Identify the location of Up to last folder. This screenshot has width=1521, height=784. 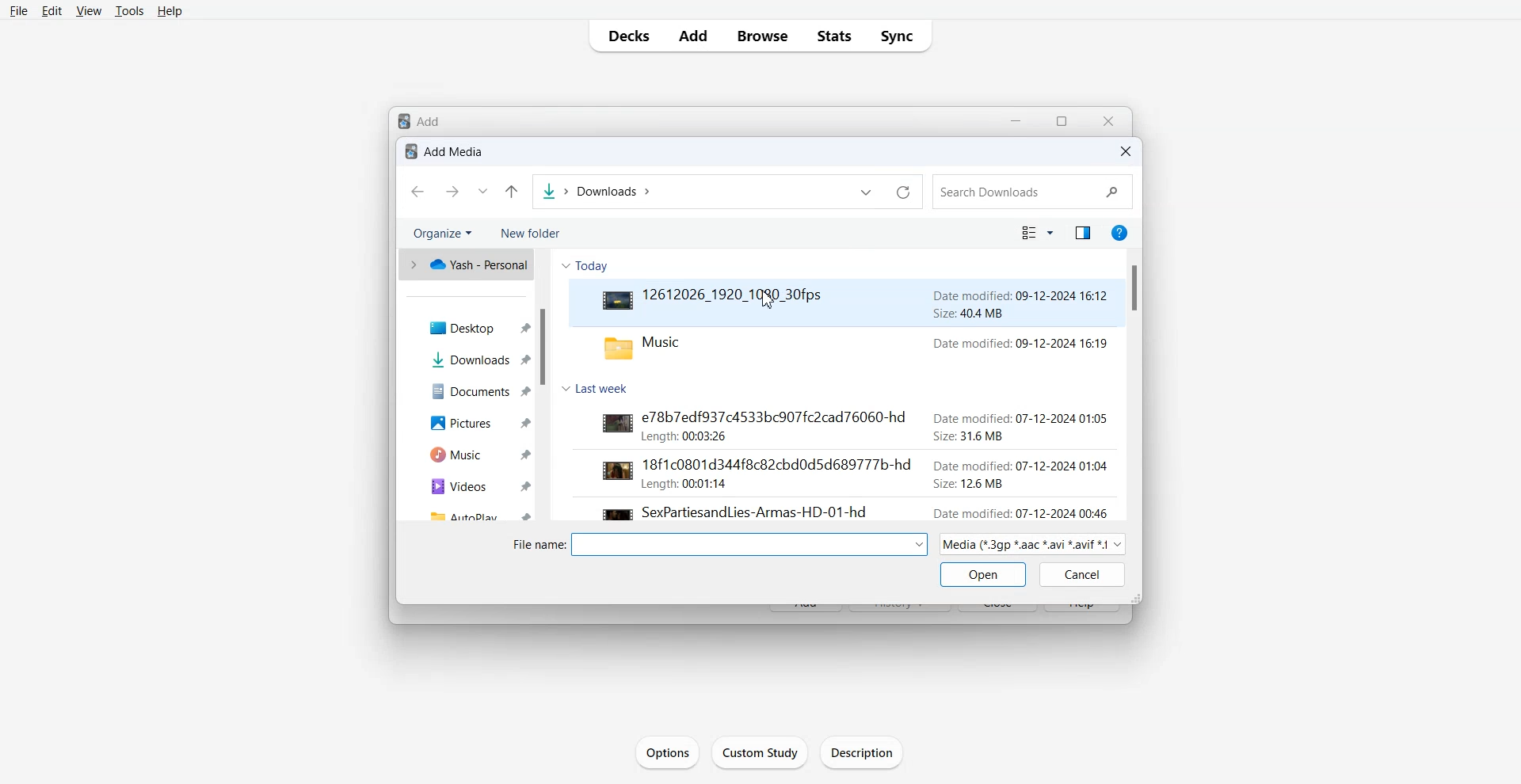
(512, 193).